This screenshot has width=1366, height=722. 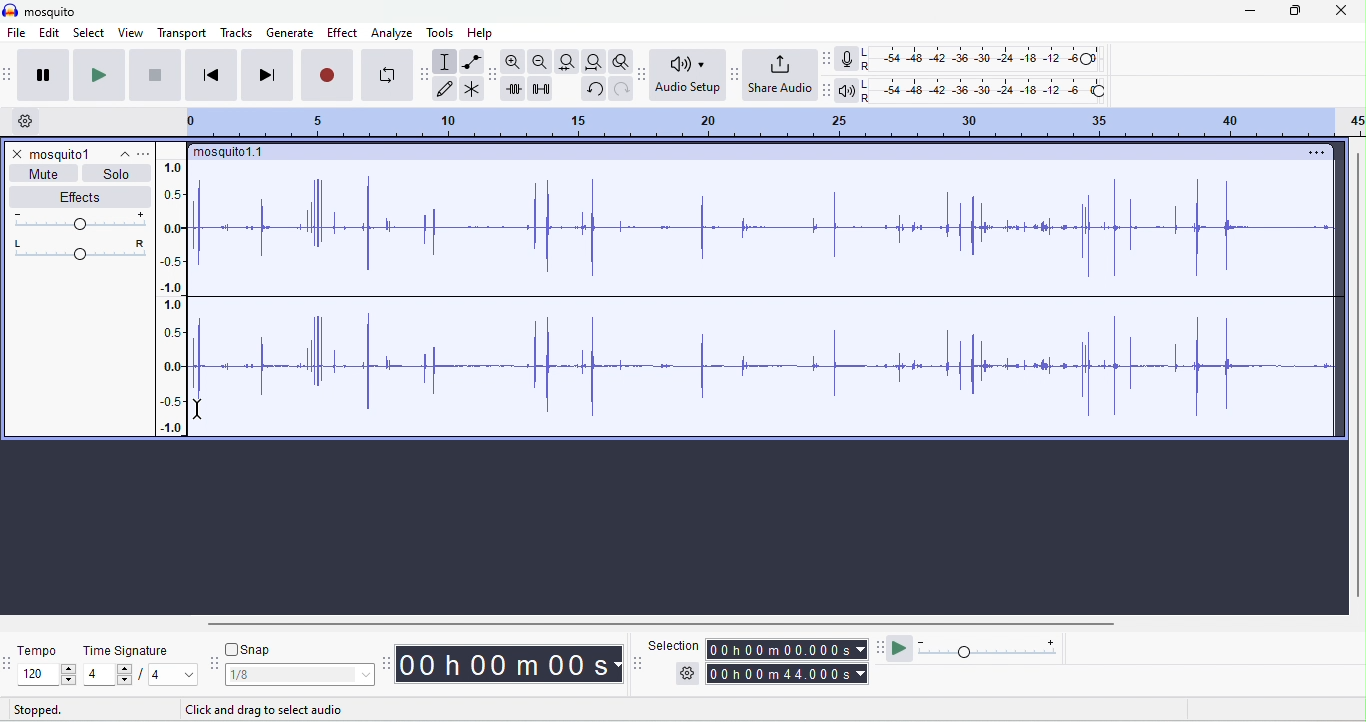 What do you see at coordinates (259, 648) in the screenshot?
I see `snap` at bounding box center [259, 648].